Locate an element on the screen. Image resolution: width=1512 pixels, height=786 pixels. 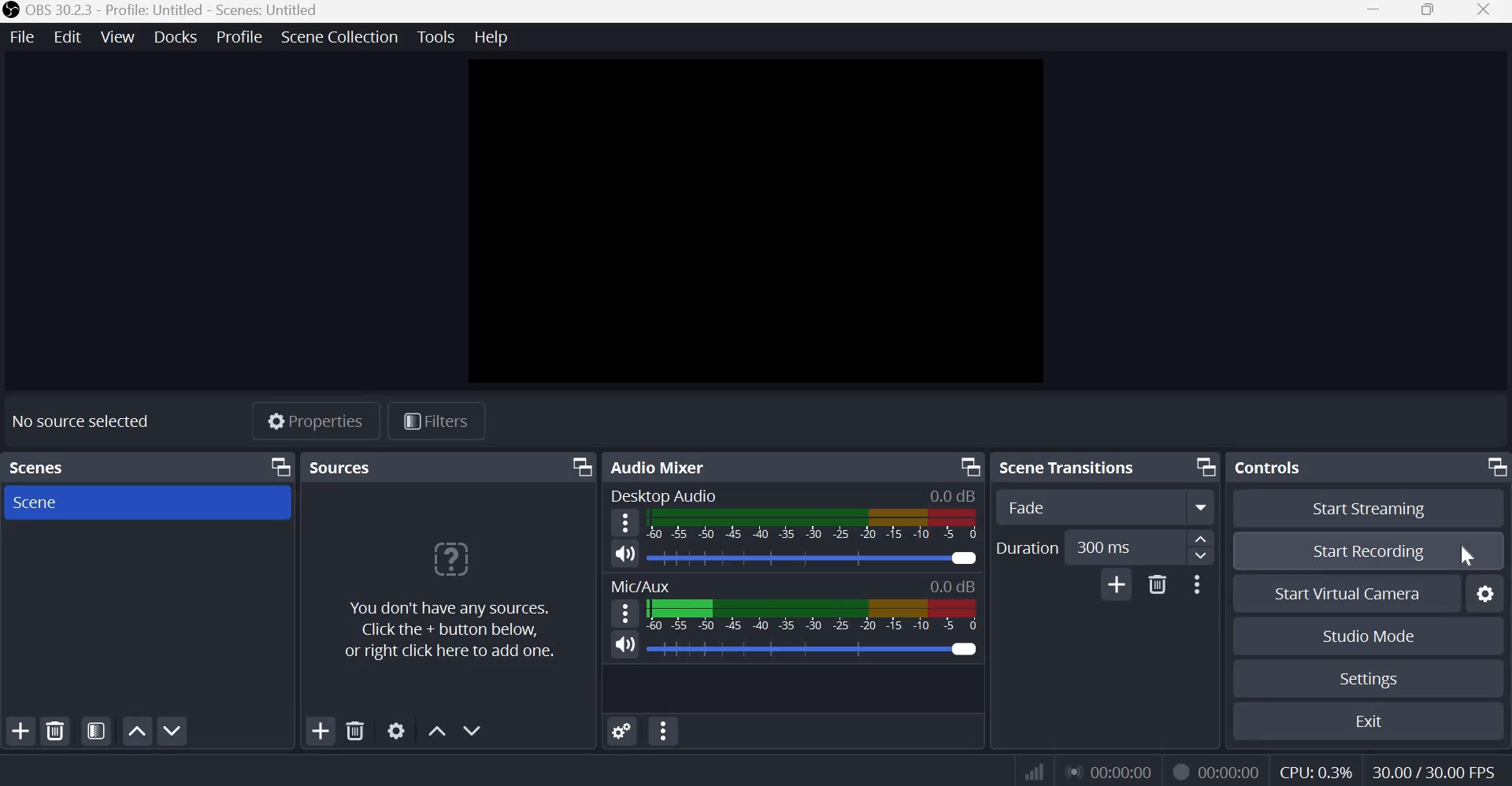
More options is located at coordinates (1201, 584).